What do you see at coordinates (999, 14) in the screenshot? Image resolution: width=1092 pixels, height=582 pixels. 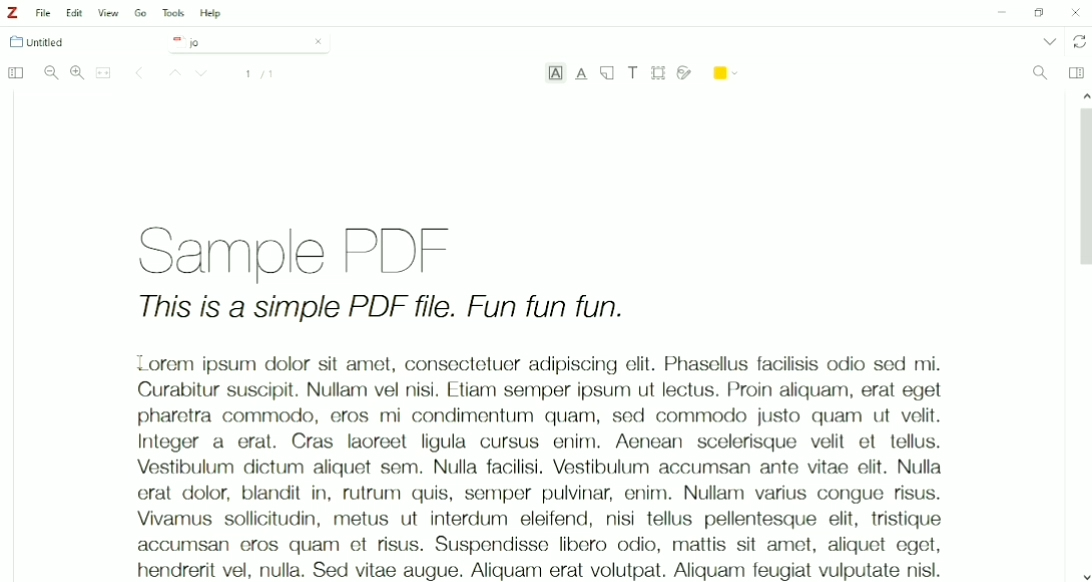 I see `Minimize` at bounding box center [999, 14].